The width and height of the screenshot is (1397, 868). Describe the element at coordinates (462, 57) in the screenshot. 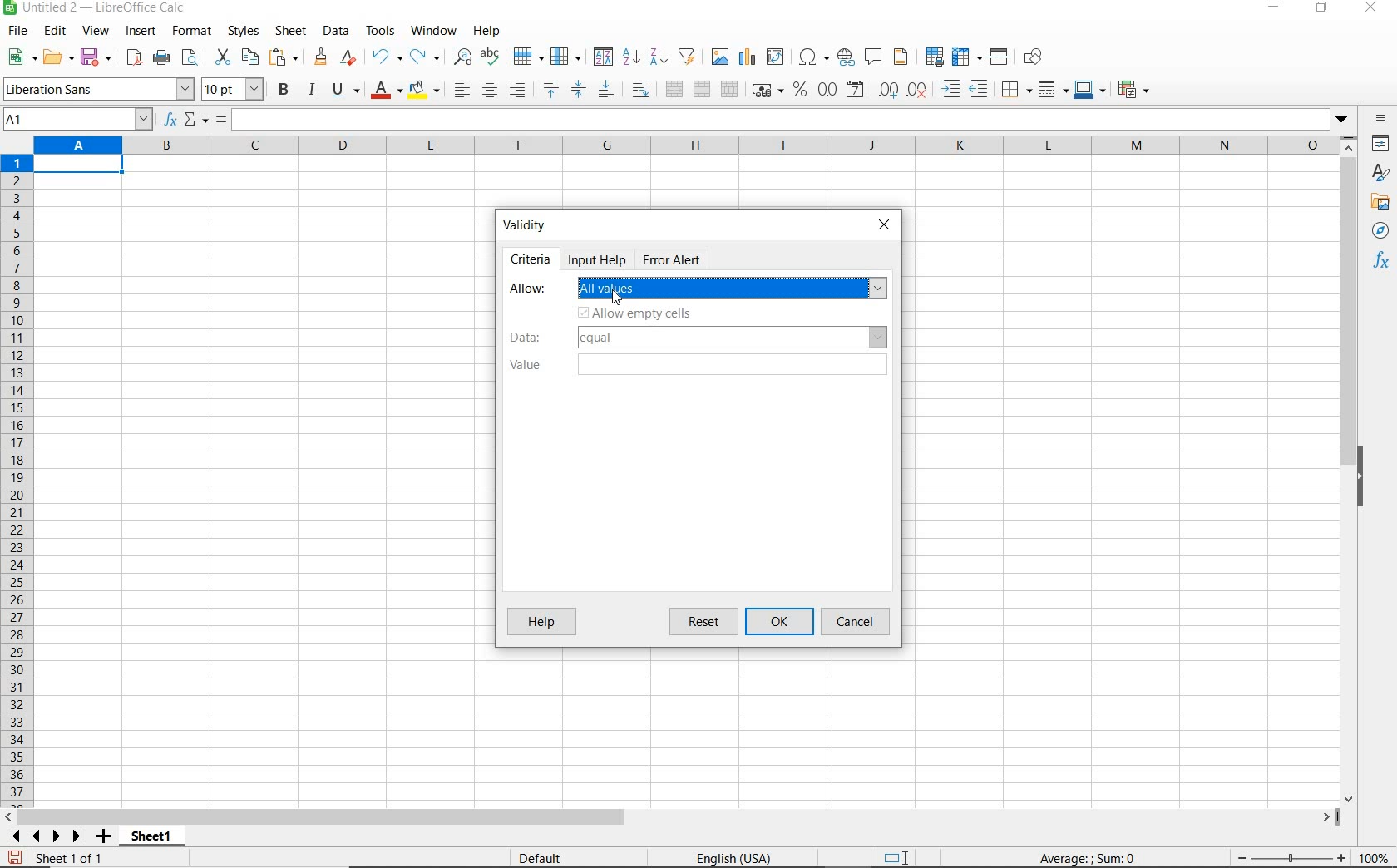

I see `find and replace` at that location.